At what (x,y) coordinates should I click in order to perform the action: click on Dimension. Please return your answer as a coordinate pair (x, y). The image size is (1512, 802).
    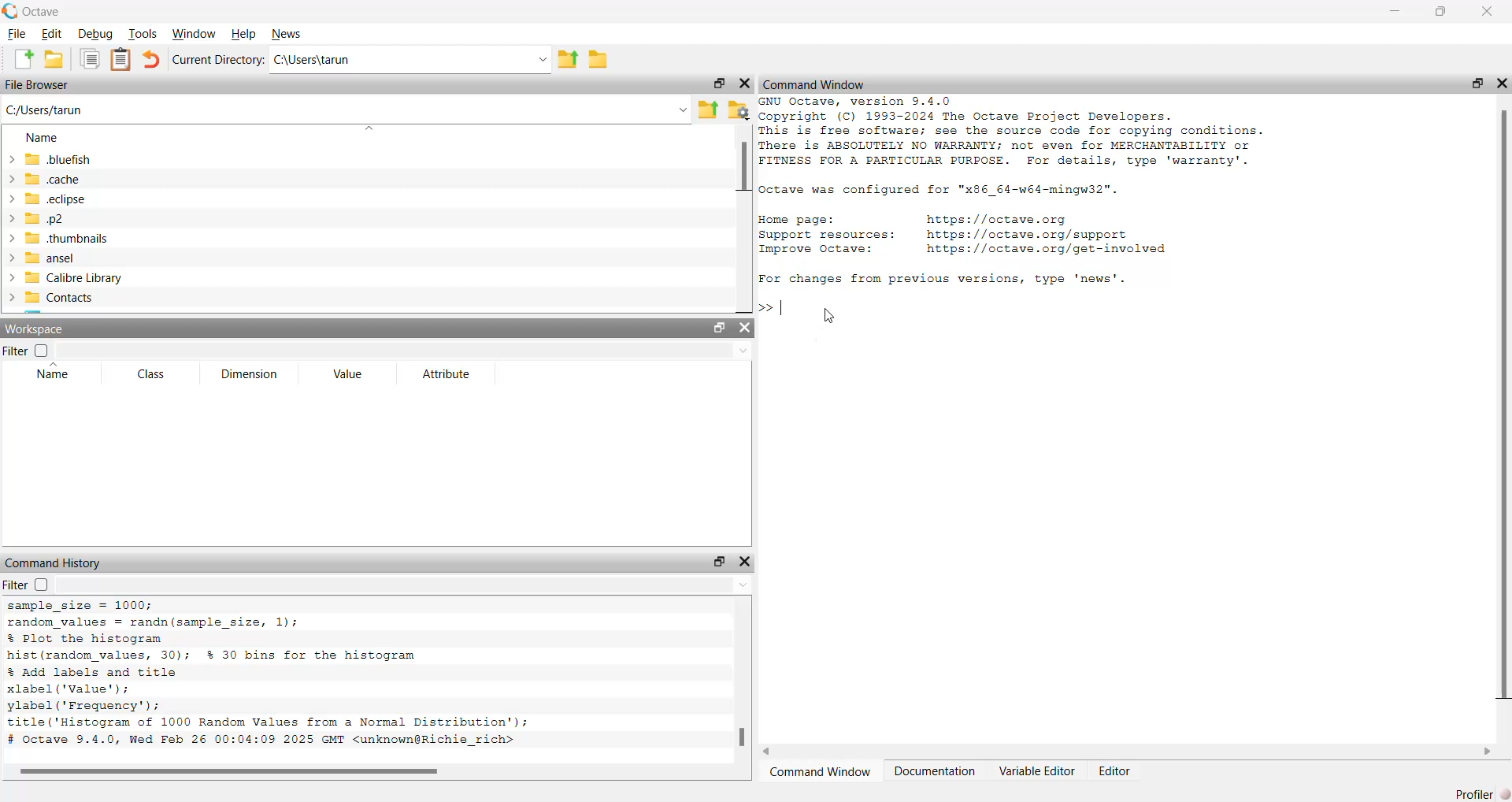
    Looking at the image, I should click on (249, 374).